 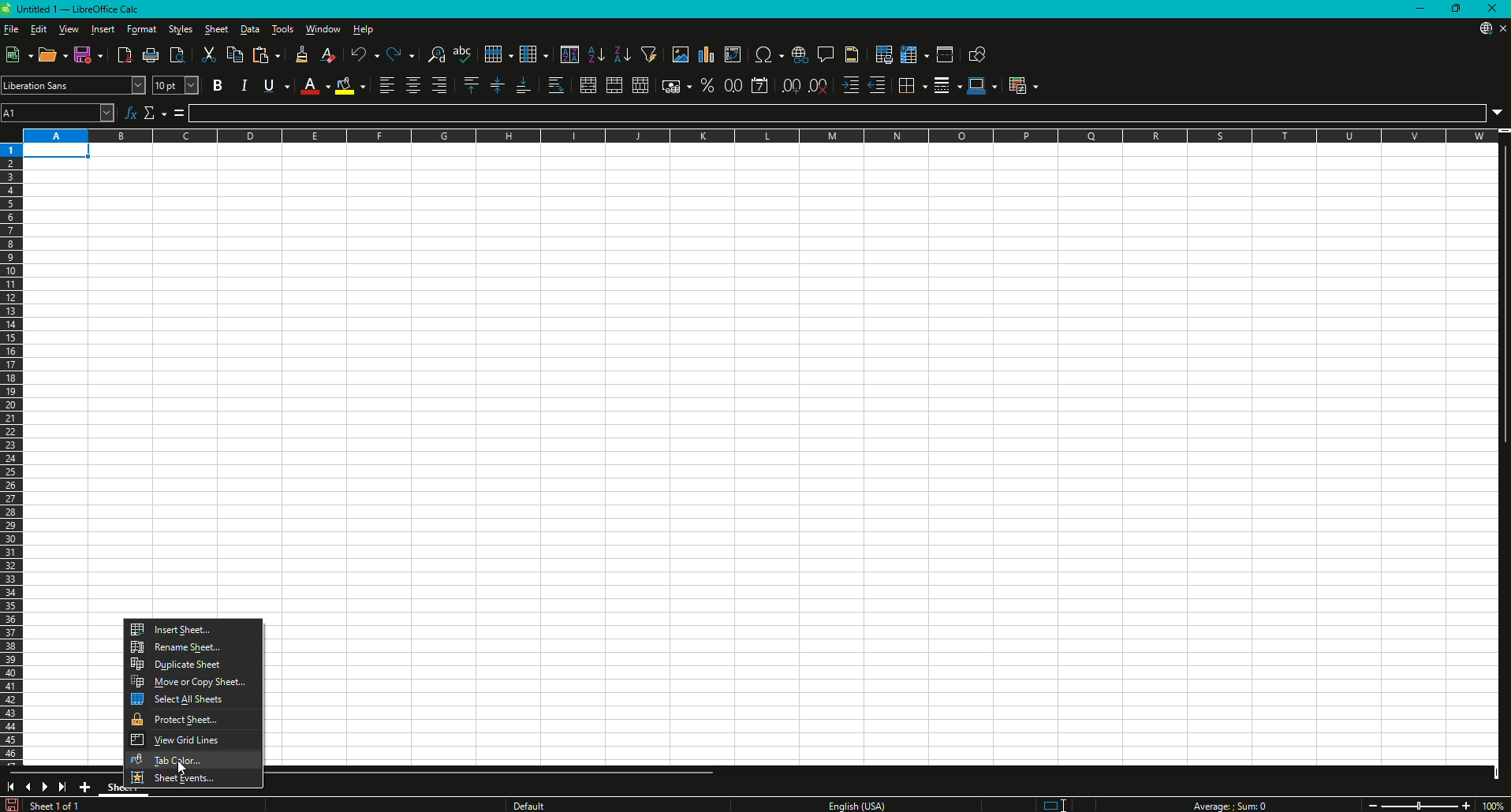 I want to click on Merge and Center or Unmerge, so click(x=588, y=85).